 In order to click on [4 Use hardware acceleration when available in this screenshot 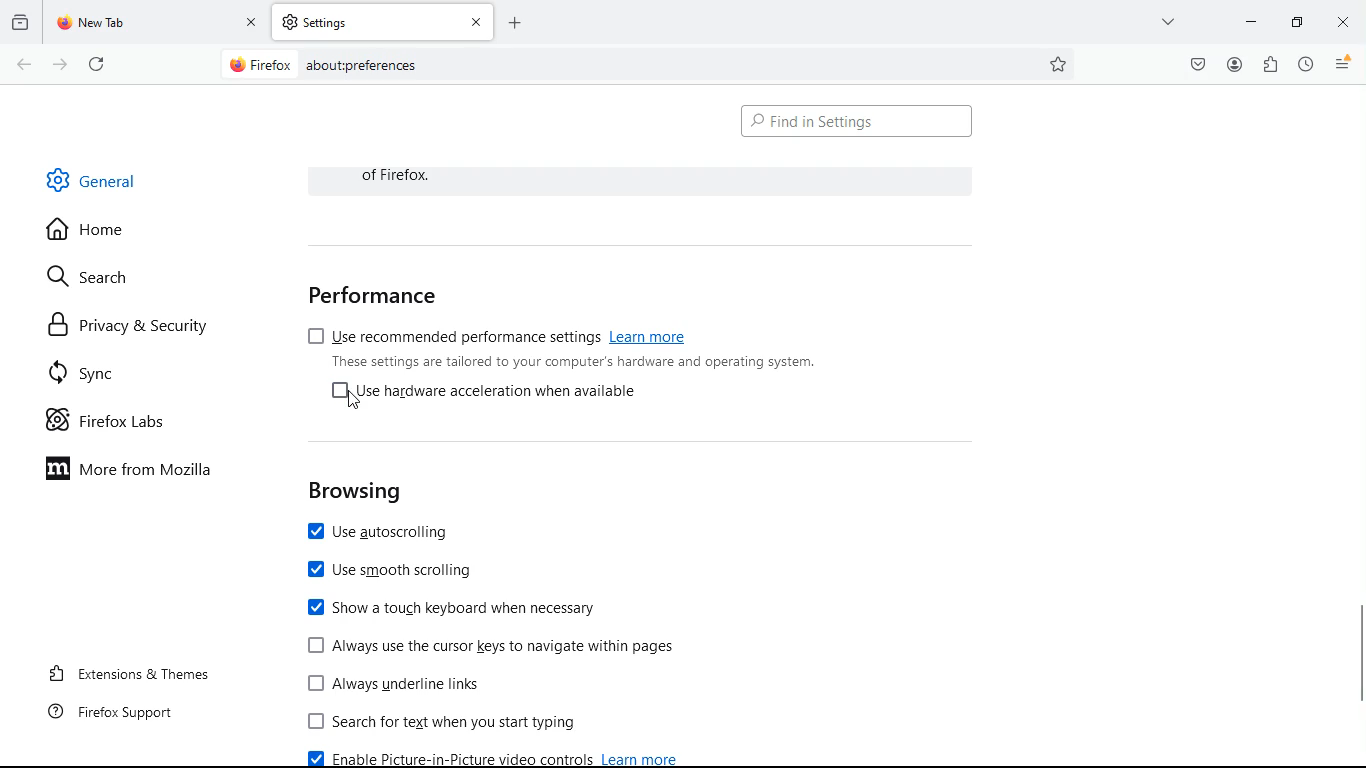, I will do `click(482, 390)`.